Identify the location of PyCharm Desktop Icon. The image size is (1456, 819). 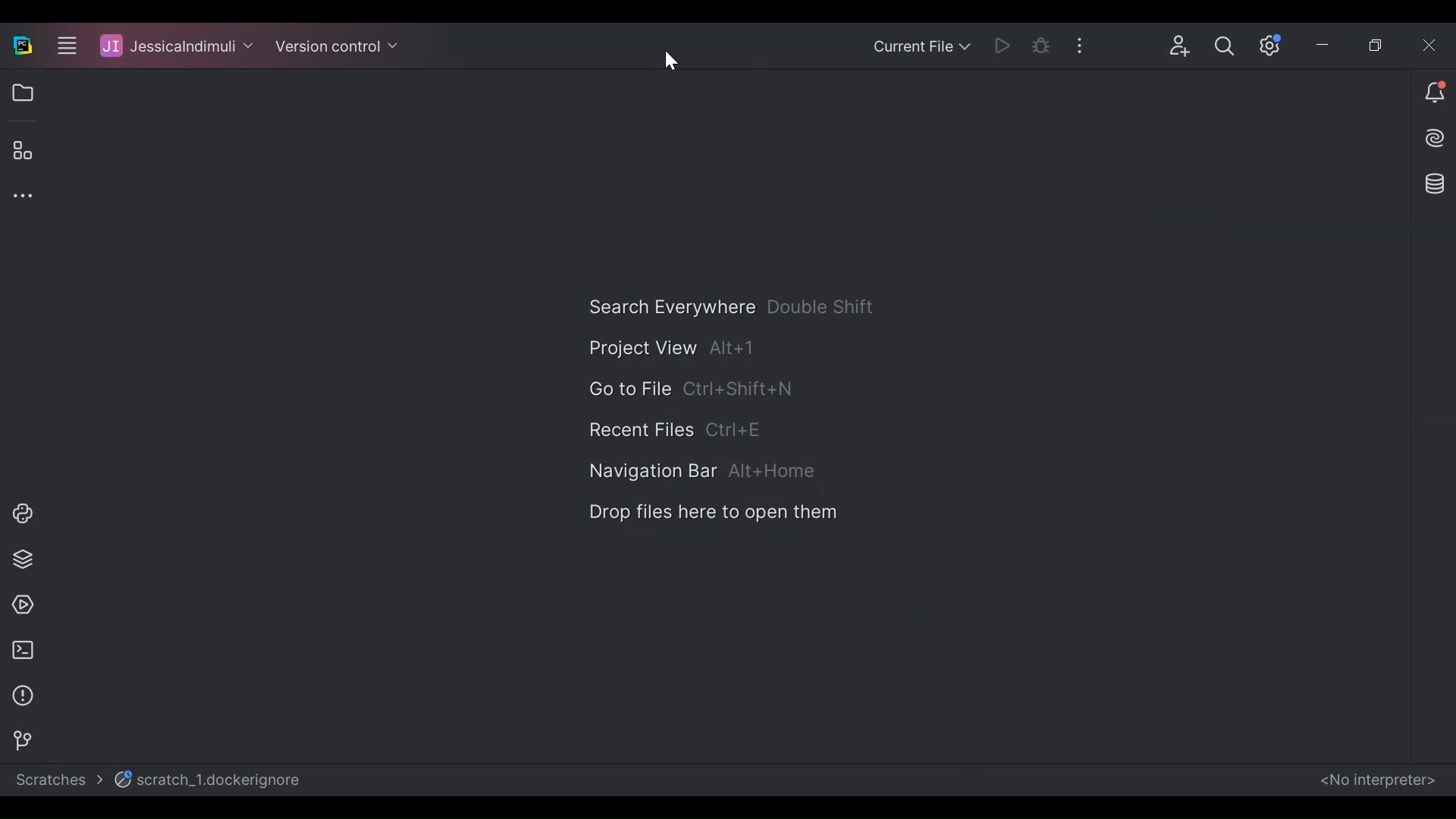
(23, 47).